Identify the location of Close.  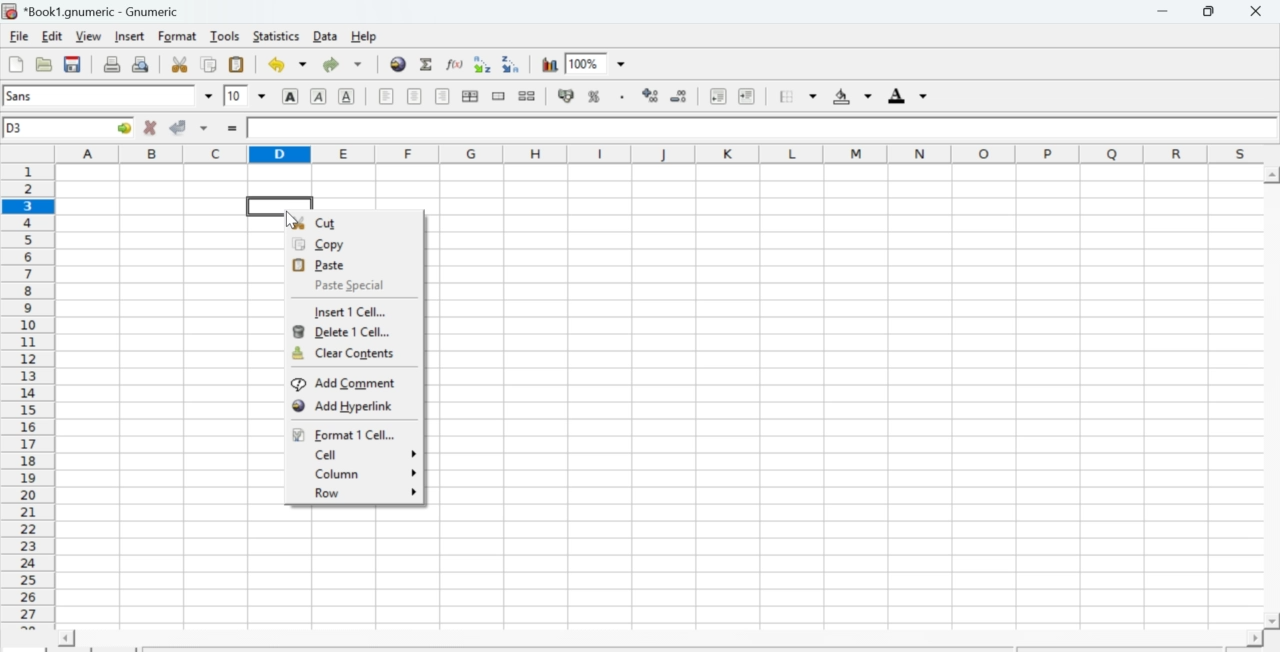
(1257, 12).